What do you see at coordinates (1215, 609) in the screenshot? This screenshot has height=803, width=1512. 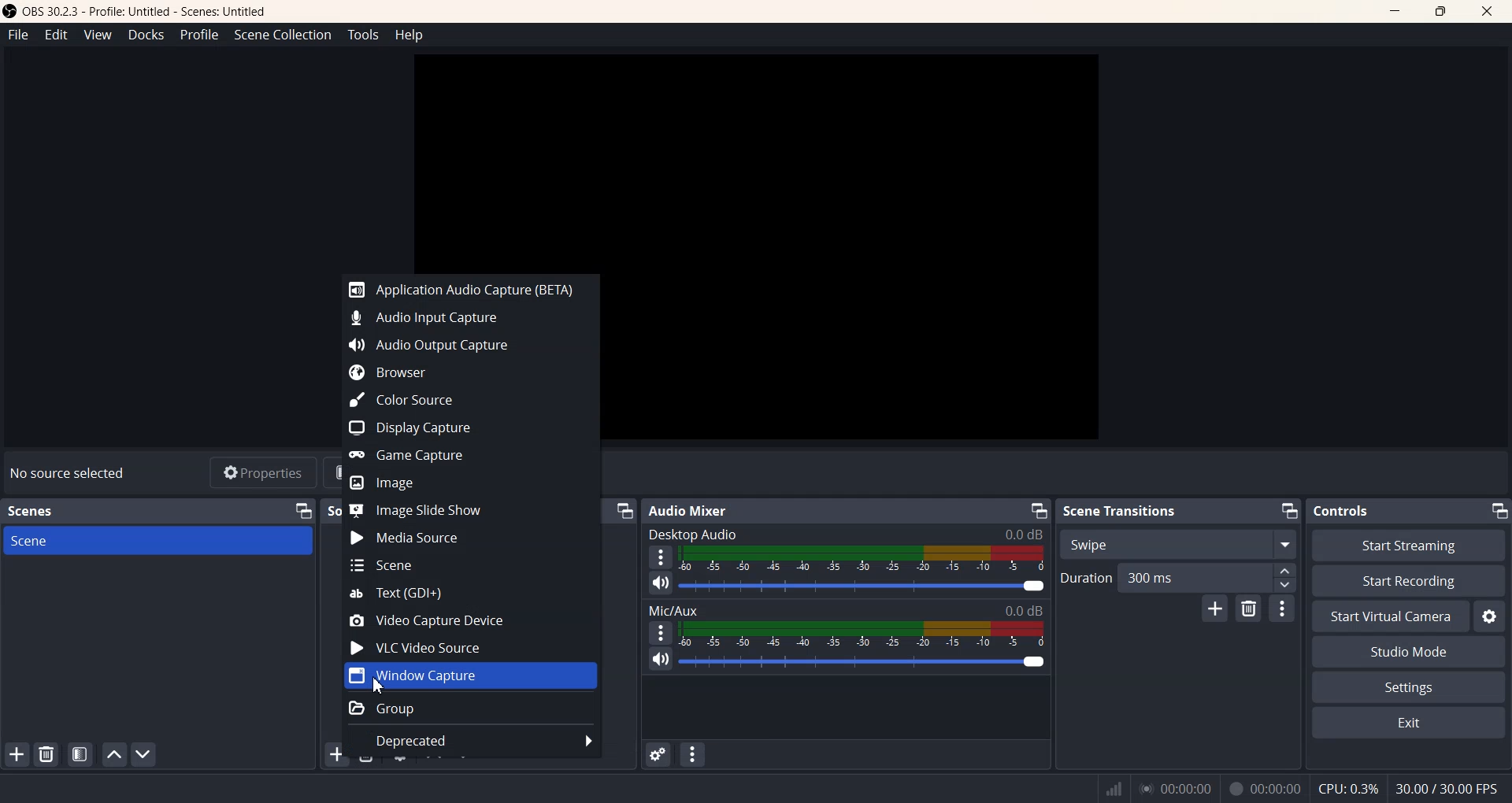 I see `Add configuration transition` at bounding box center [1215, 609].